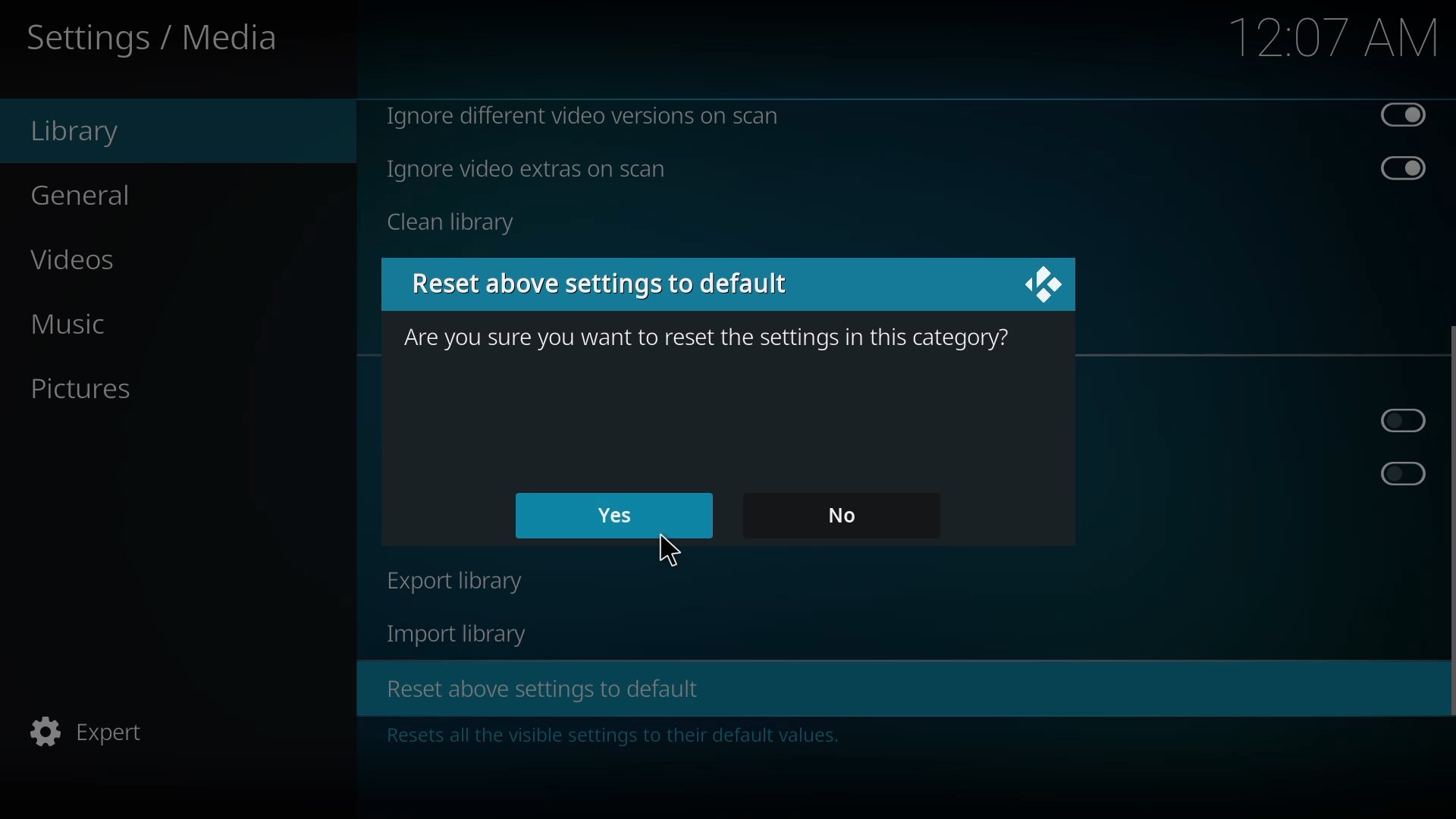 The width and height of the screenshot is (1456, 819). I want to click on time, so click(1335, 36).